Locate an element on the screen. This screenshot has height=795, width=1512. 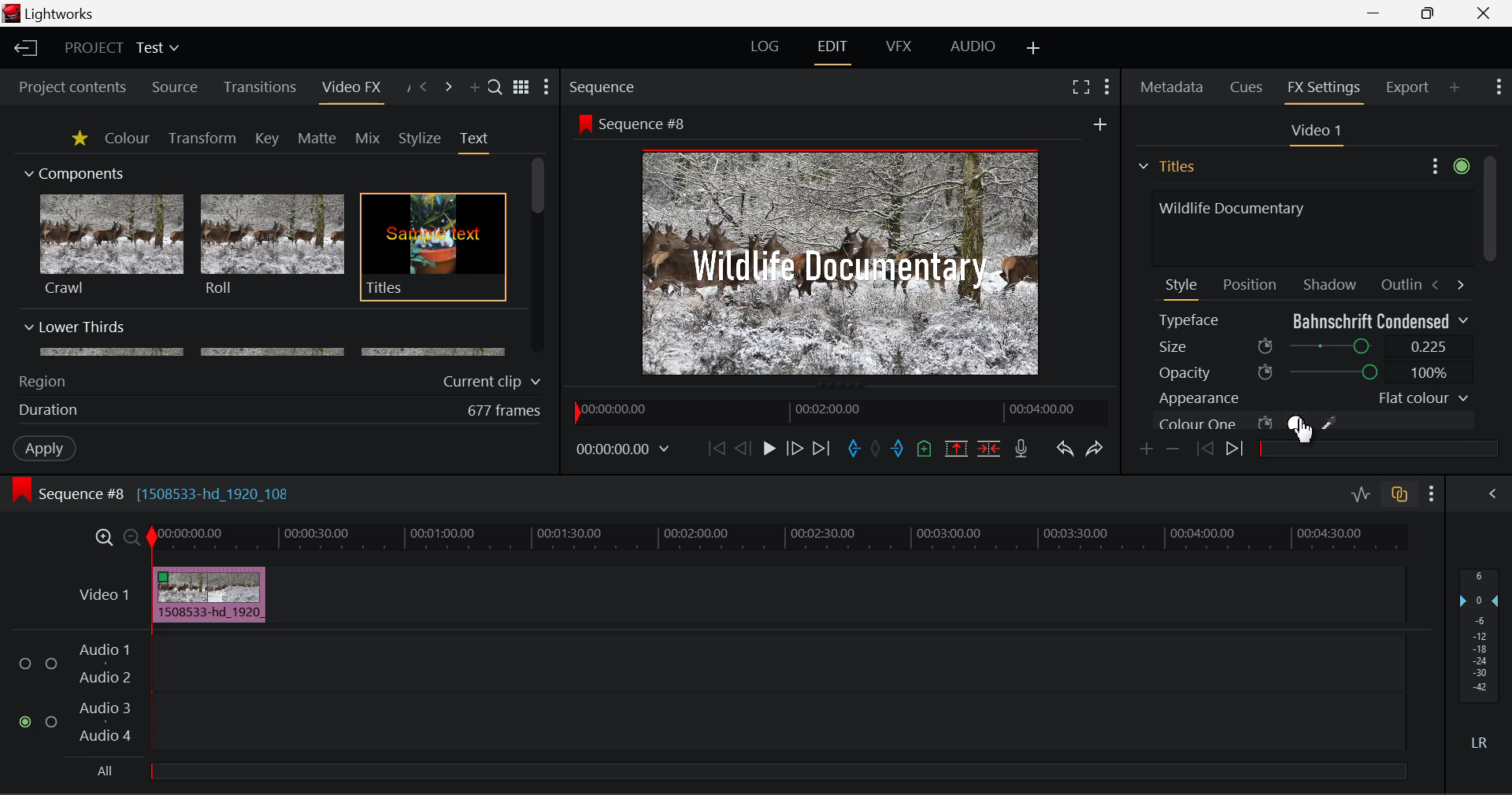
Position is located at coordinates (1252, 283).